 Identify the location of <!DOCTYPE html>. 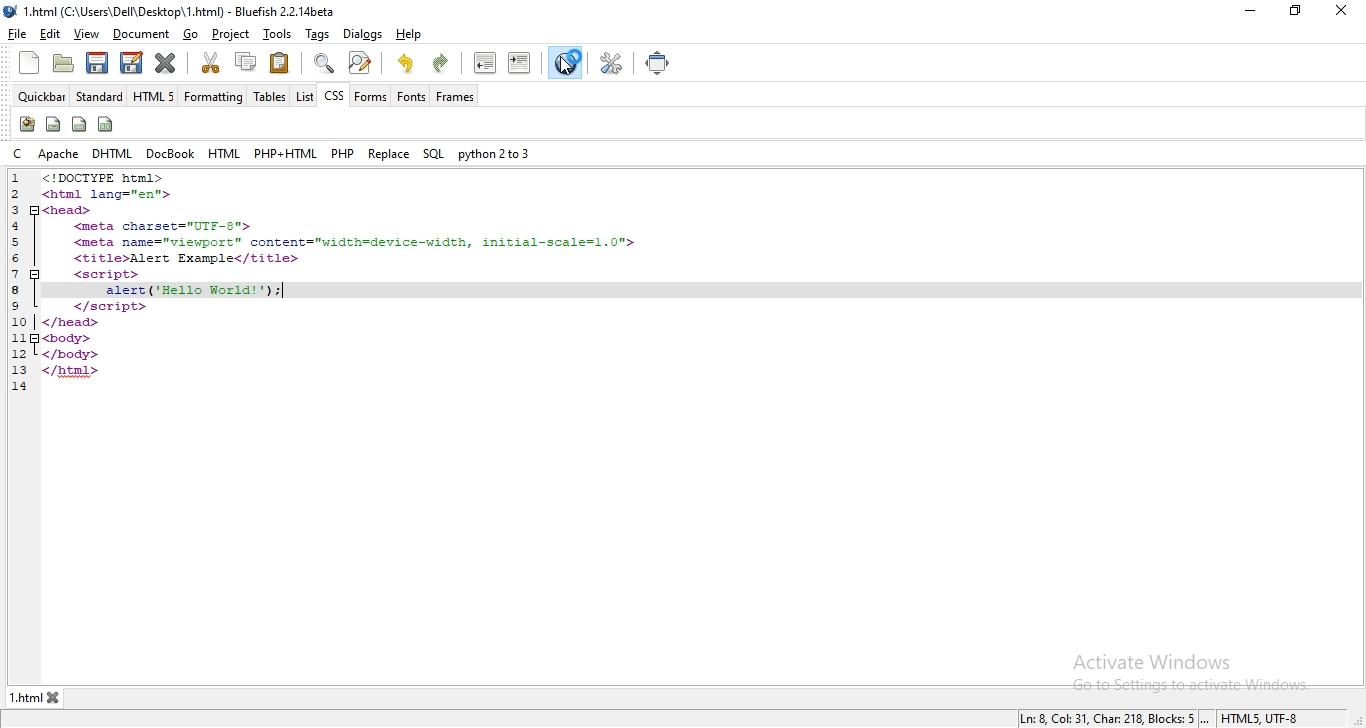
(103, 178).